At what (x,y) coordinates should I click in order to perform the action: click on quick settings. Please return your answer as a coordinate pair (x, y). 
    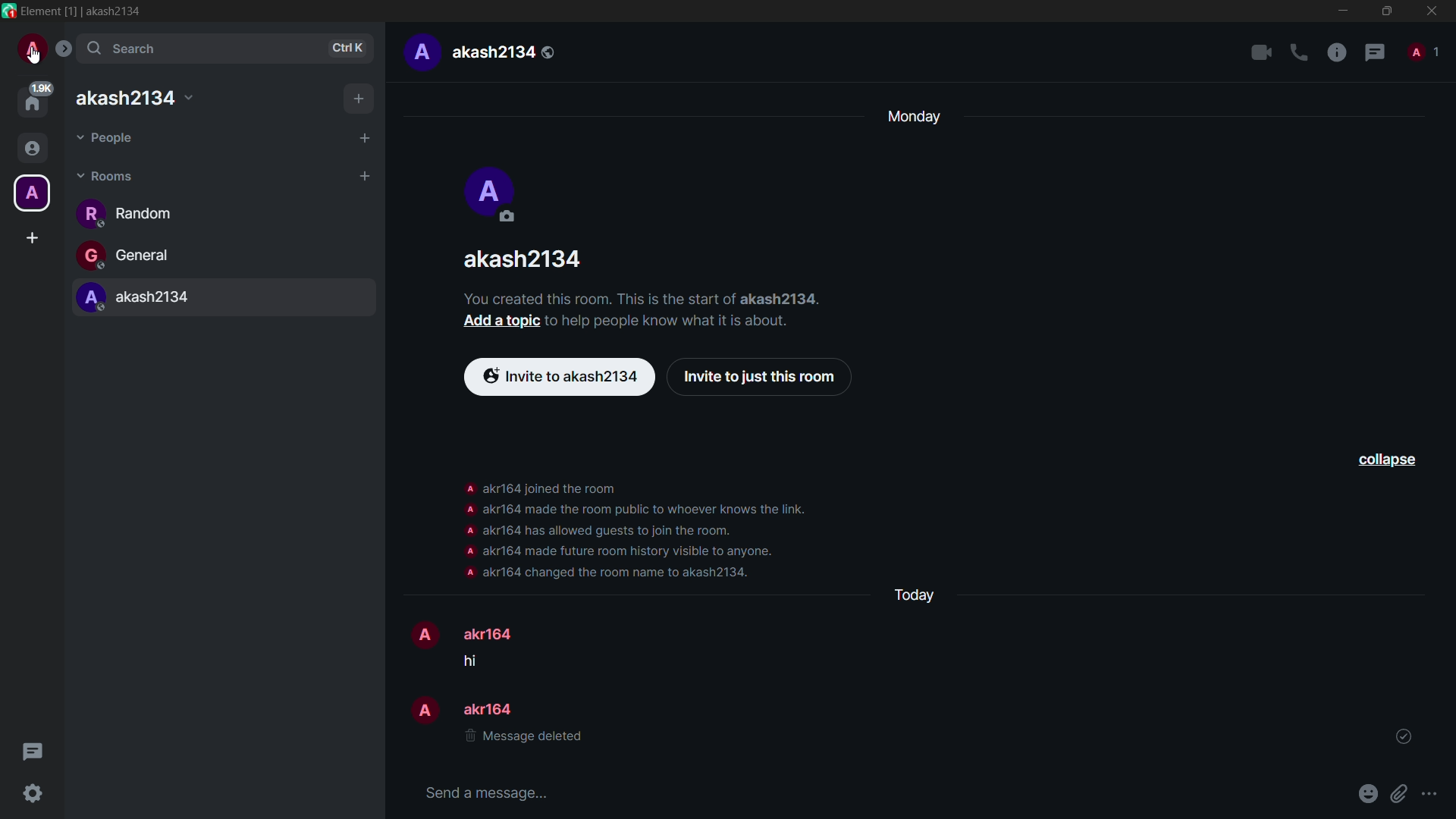
    Looking at the image, I should click on (34, 795).